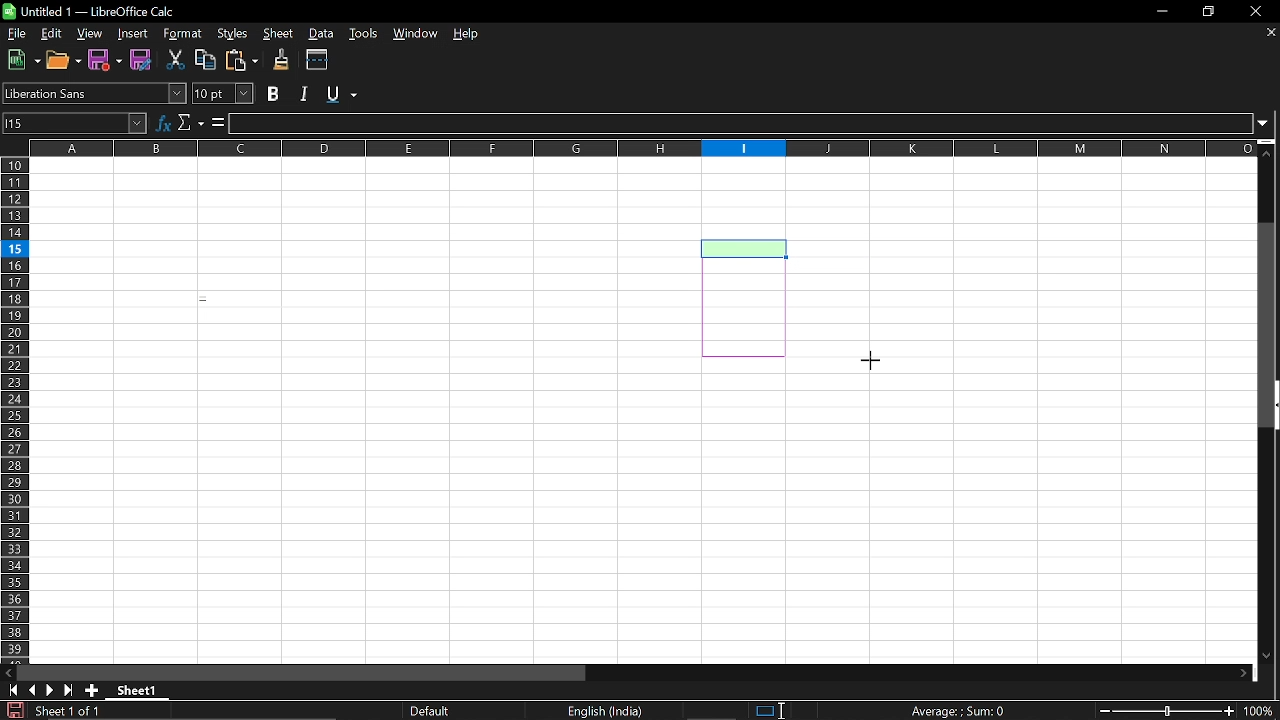 The height and width of the screenshot is (720, 1280). I want to click on Split wondows, so click(318, 60).